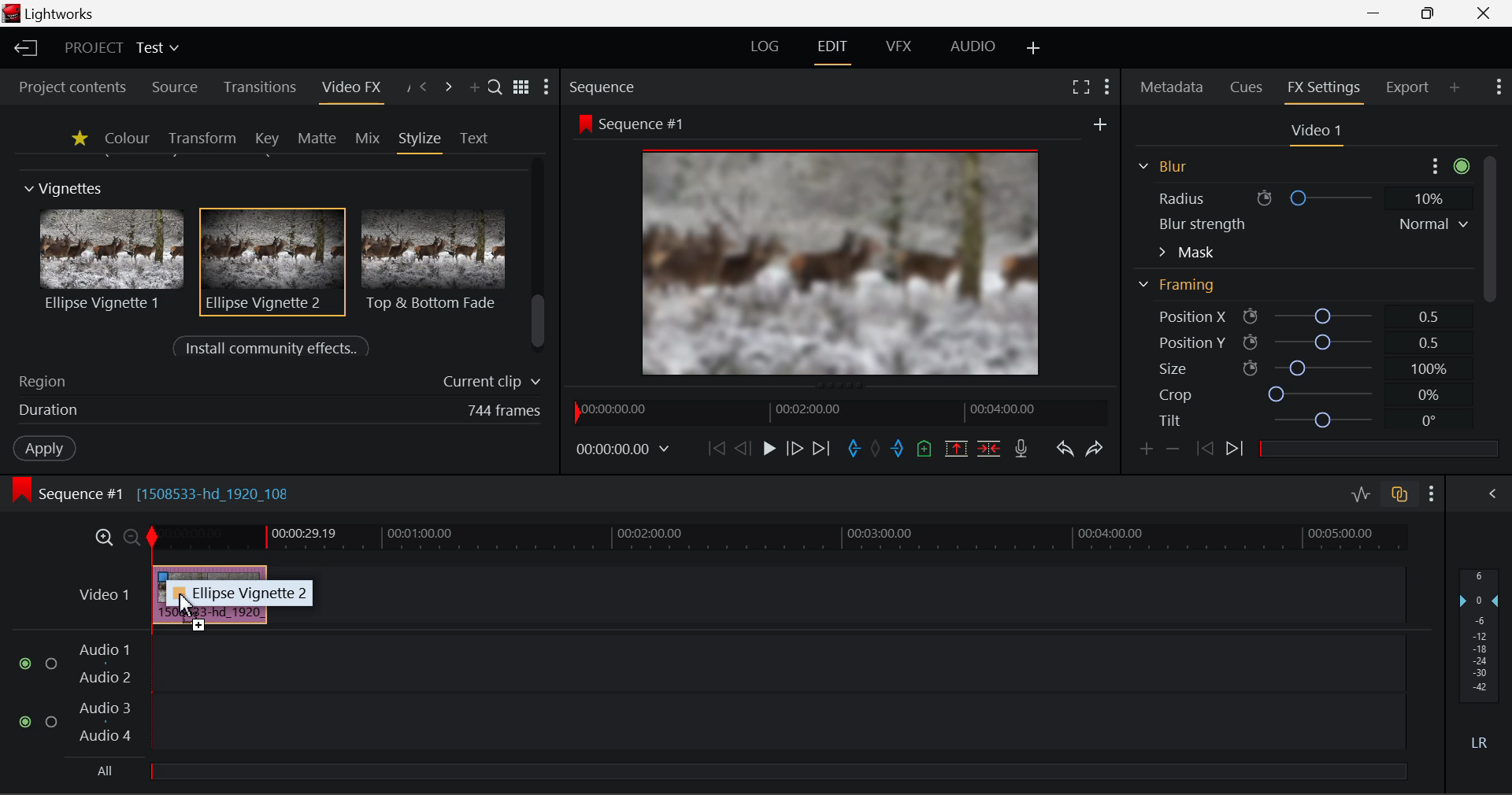 The height and width of the screenshot is (795, 1512). Describe the element at coordinates (521, 89) in the screenshot. I see `Toggle list & title view` at that location.